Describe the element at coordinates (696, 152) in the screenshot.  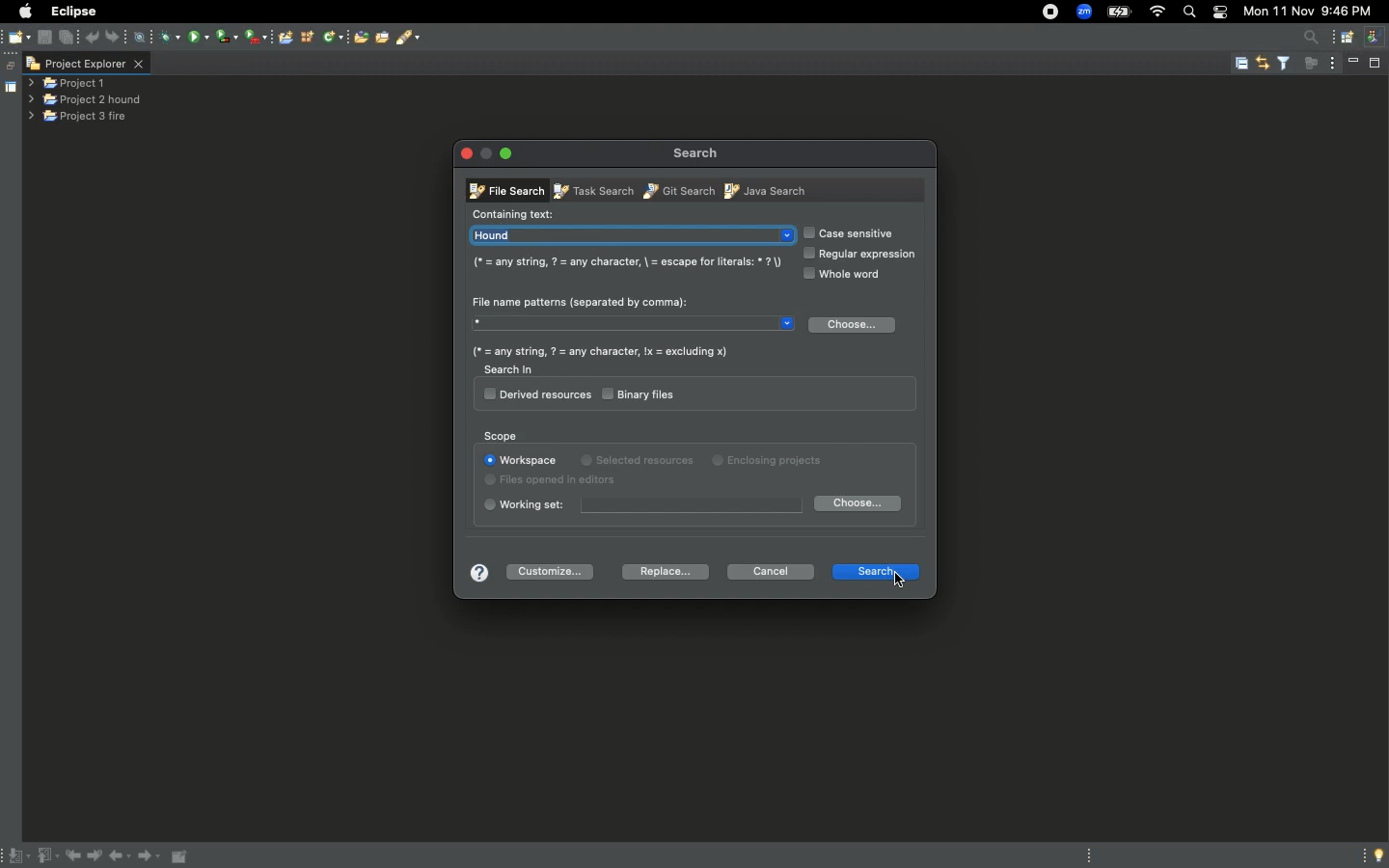
I see `Search` at that location.